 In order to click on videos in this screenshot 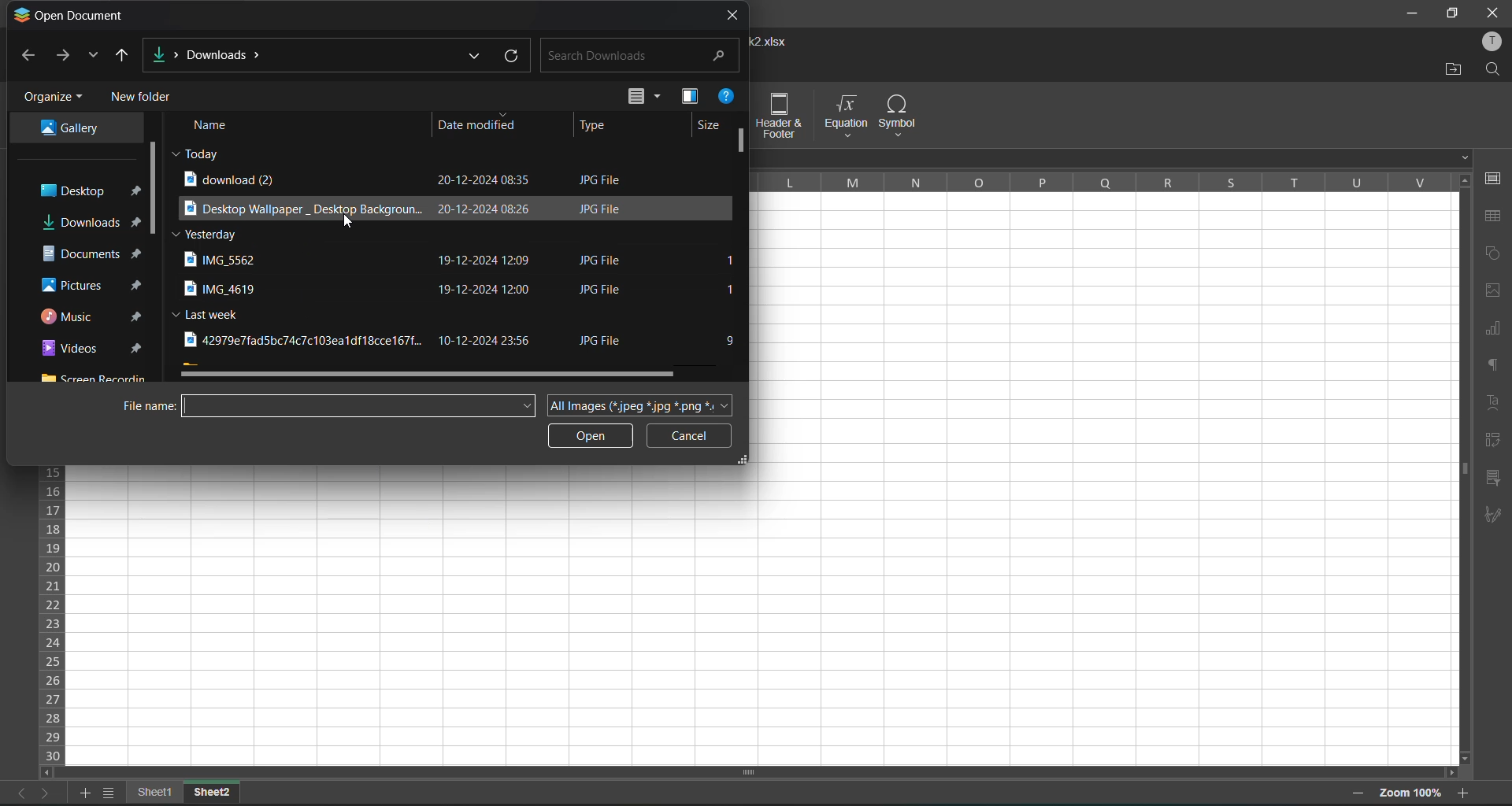, I will do `click(87, 348)`.